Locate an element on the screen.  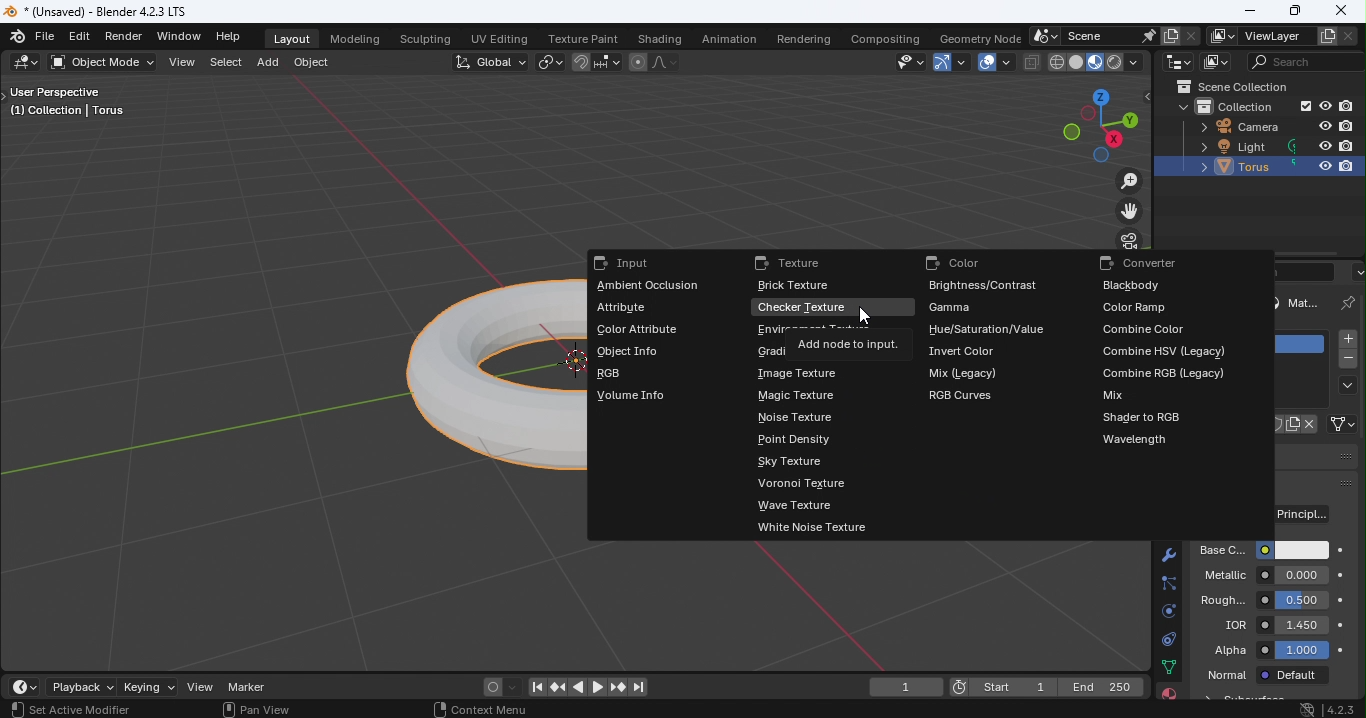
Animation is located at coordinates (730, 37).